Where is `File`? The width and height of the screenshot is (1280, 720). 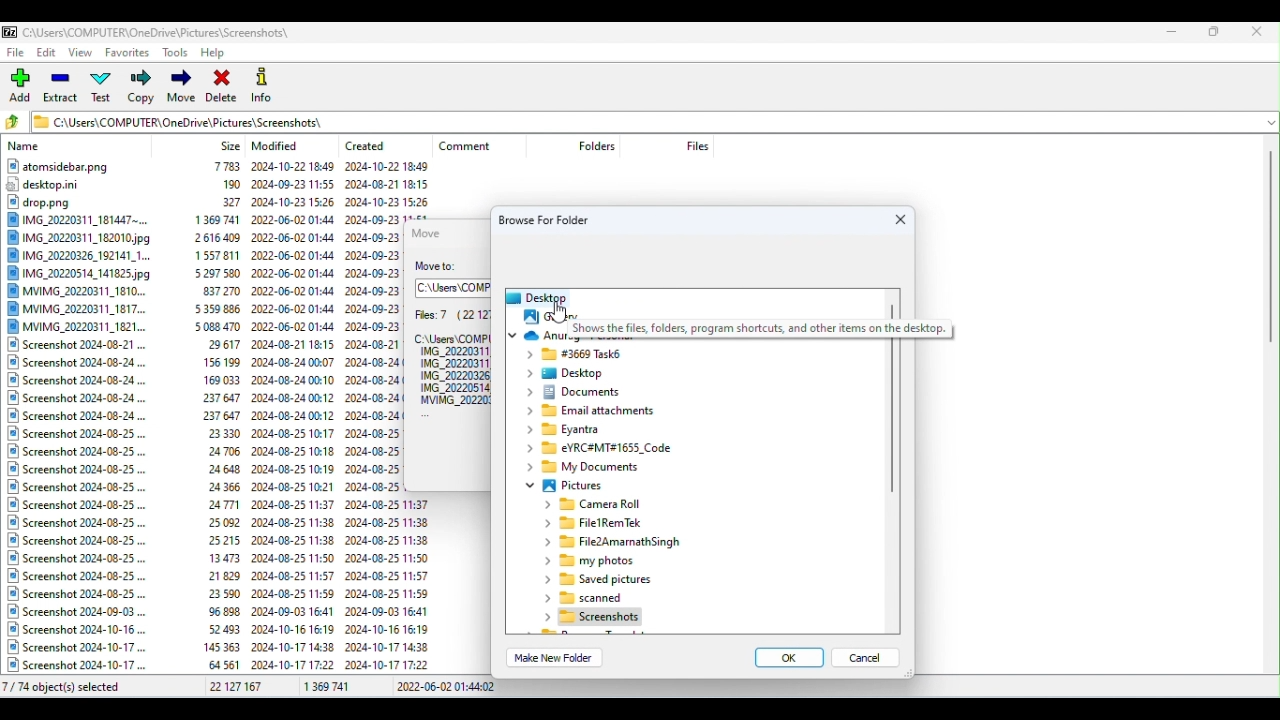
File is located at coordinates (17, 52).